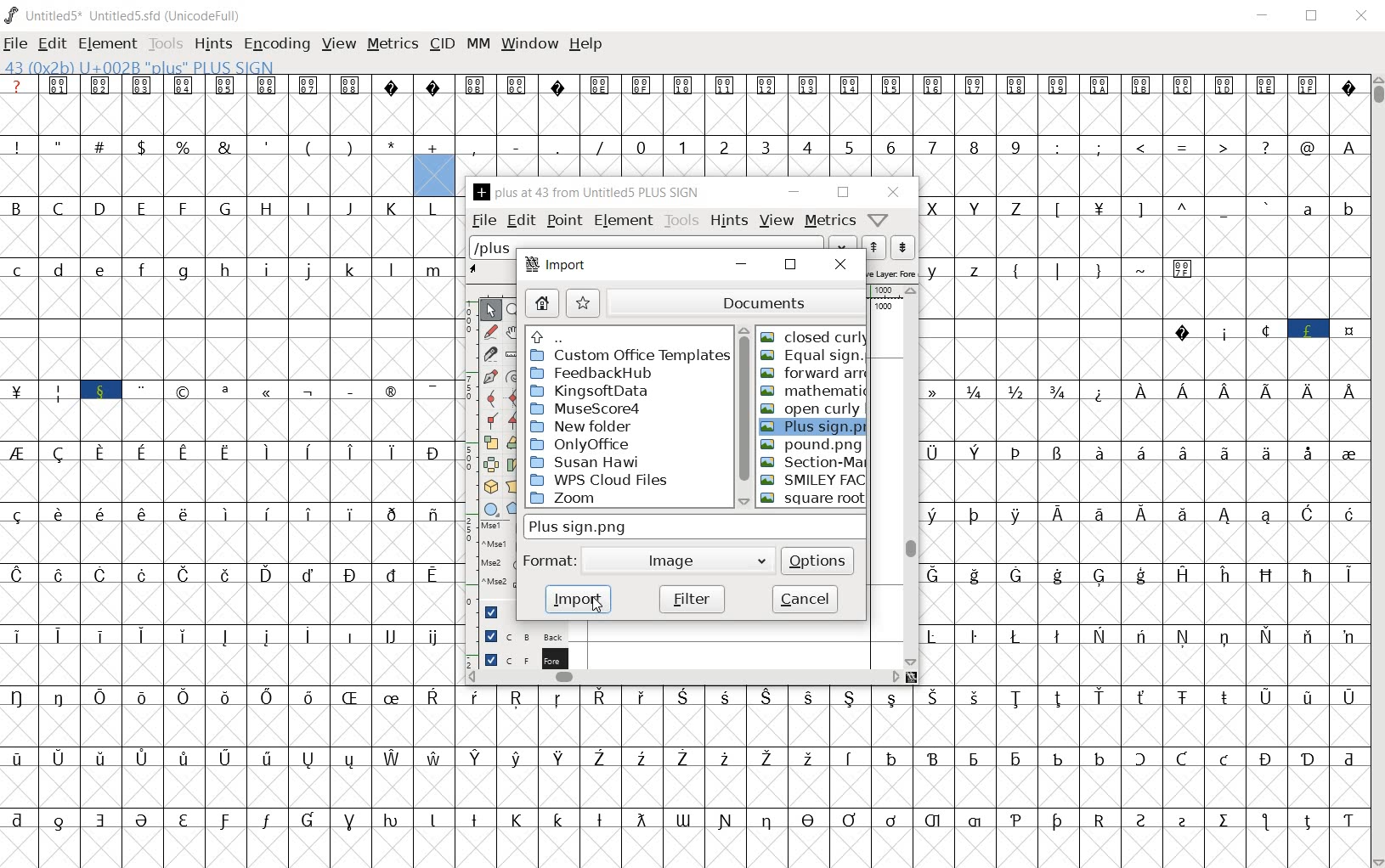 The height and width of the screenshot is (868, 1385). Describe the element at coordinates (1245, 412) in the screenshot. I see `Latin extended characters` at that location.